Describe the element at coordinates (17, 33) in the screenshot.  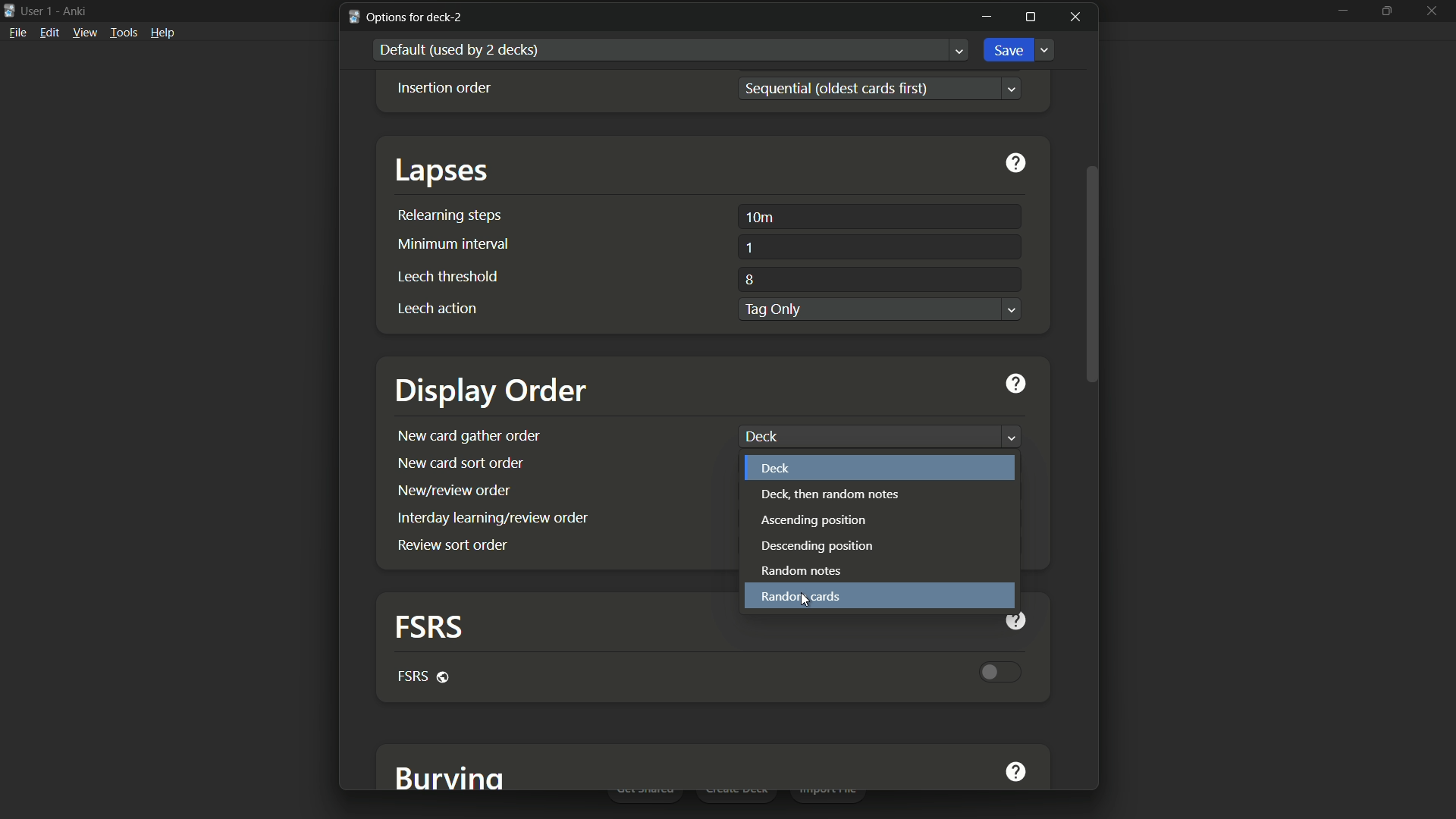
I see `file menu` at that location.